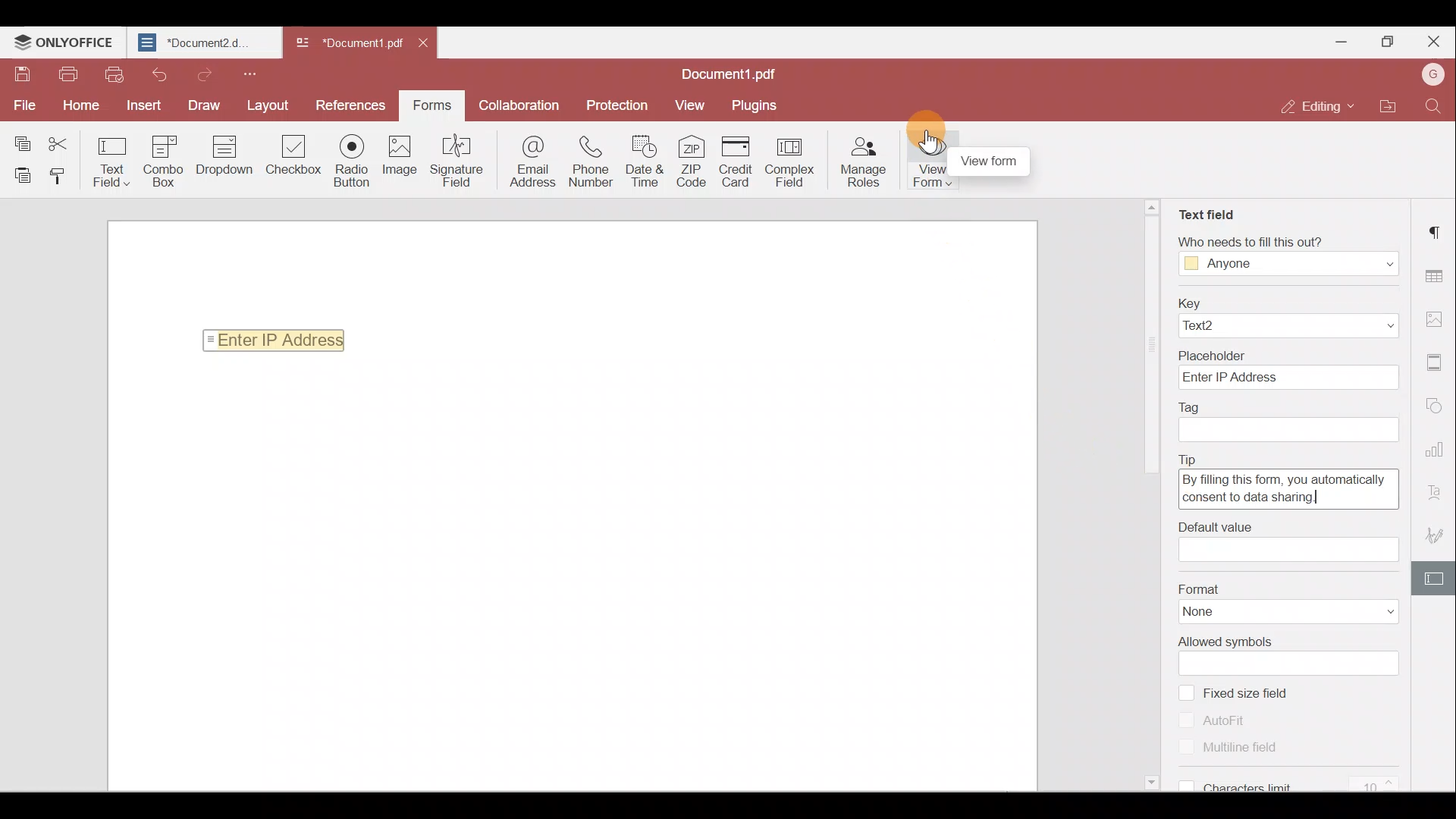  What do you see at coordinates (1187, 719) in the screenshot?
I see `checkbox` at bounding box center [1187, 719].